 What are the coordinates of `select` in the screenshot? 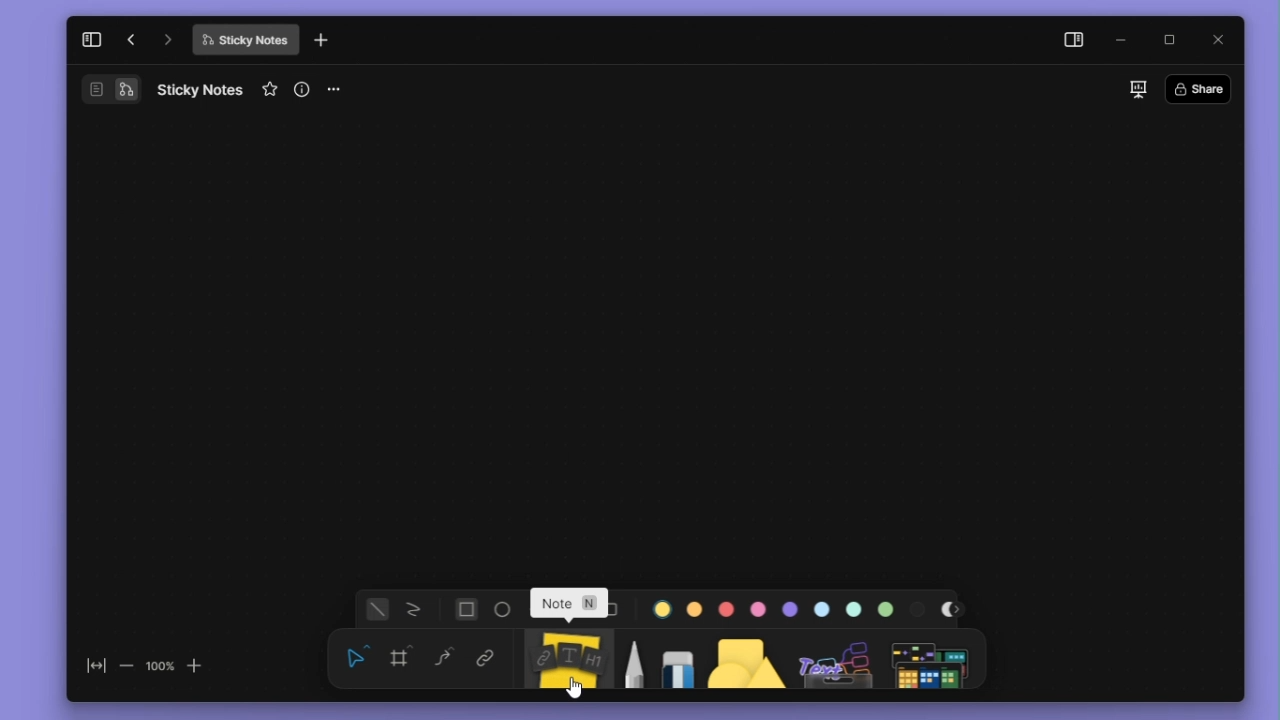 It's located at (356, 659).